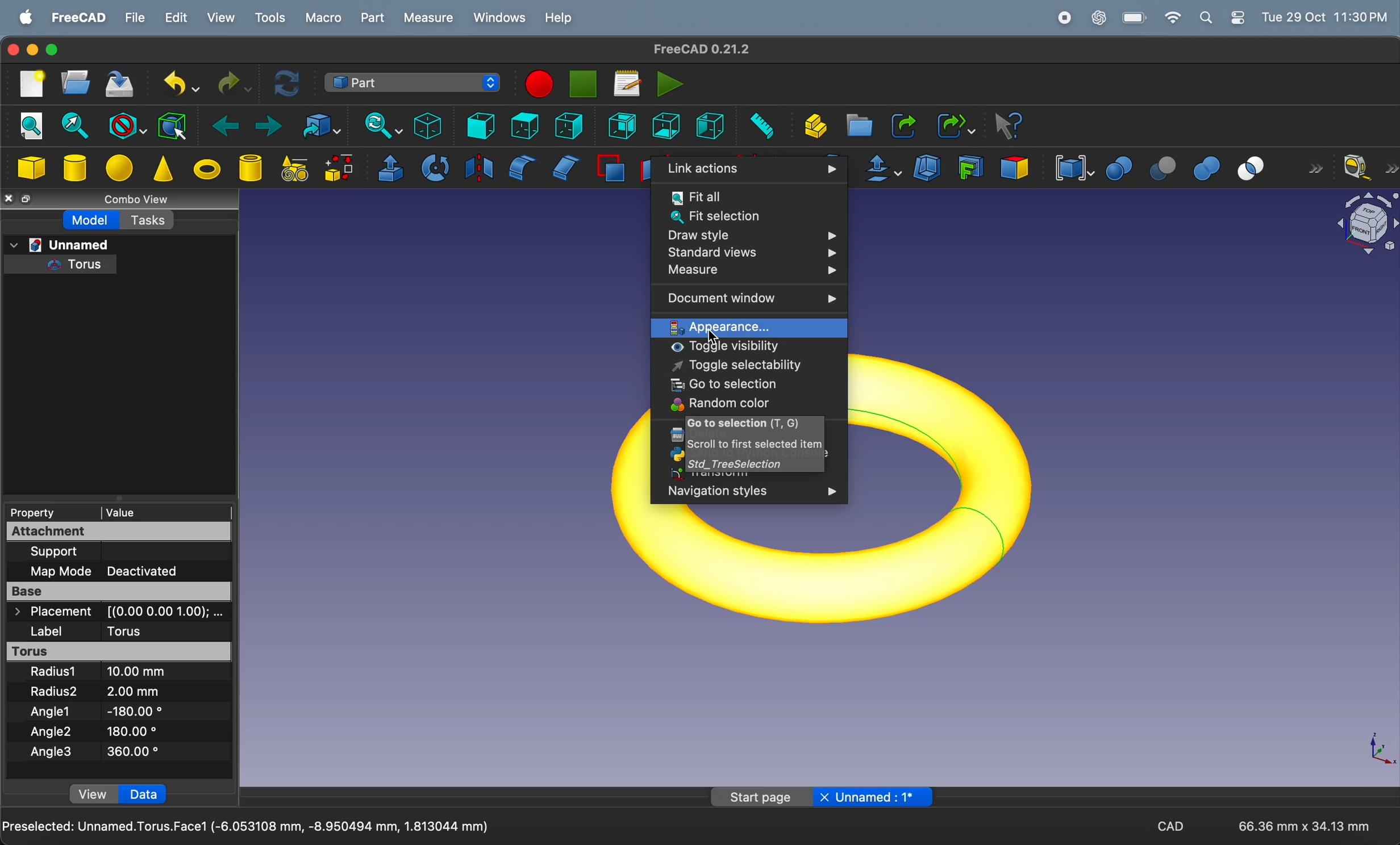 The image size is (1400, 845). I want to click on go to selection, so click(724, 386).